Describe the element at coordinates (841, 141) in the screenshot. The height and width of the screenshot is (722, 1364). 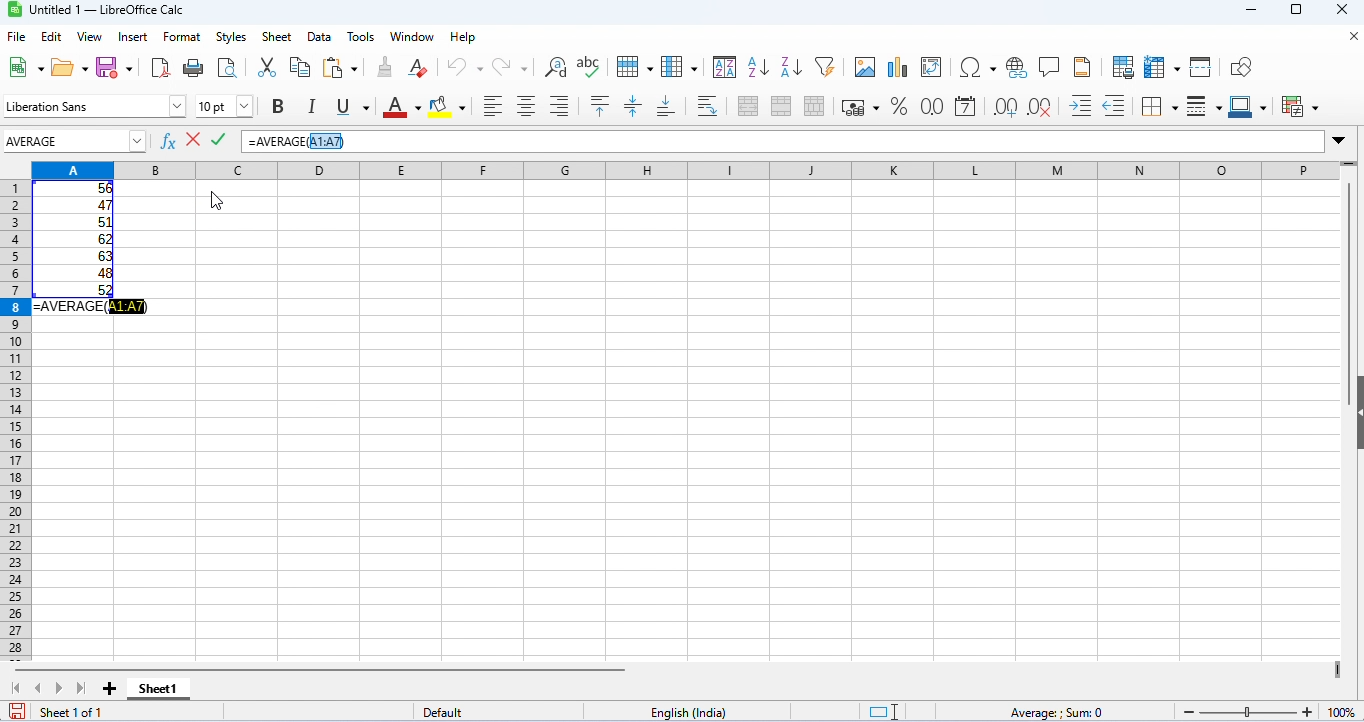
I see `formula bar` at that location.